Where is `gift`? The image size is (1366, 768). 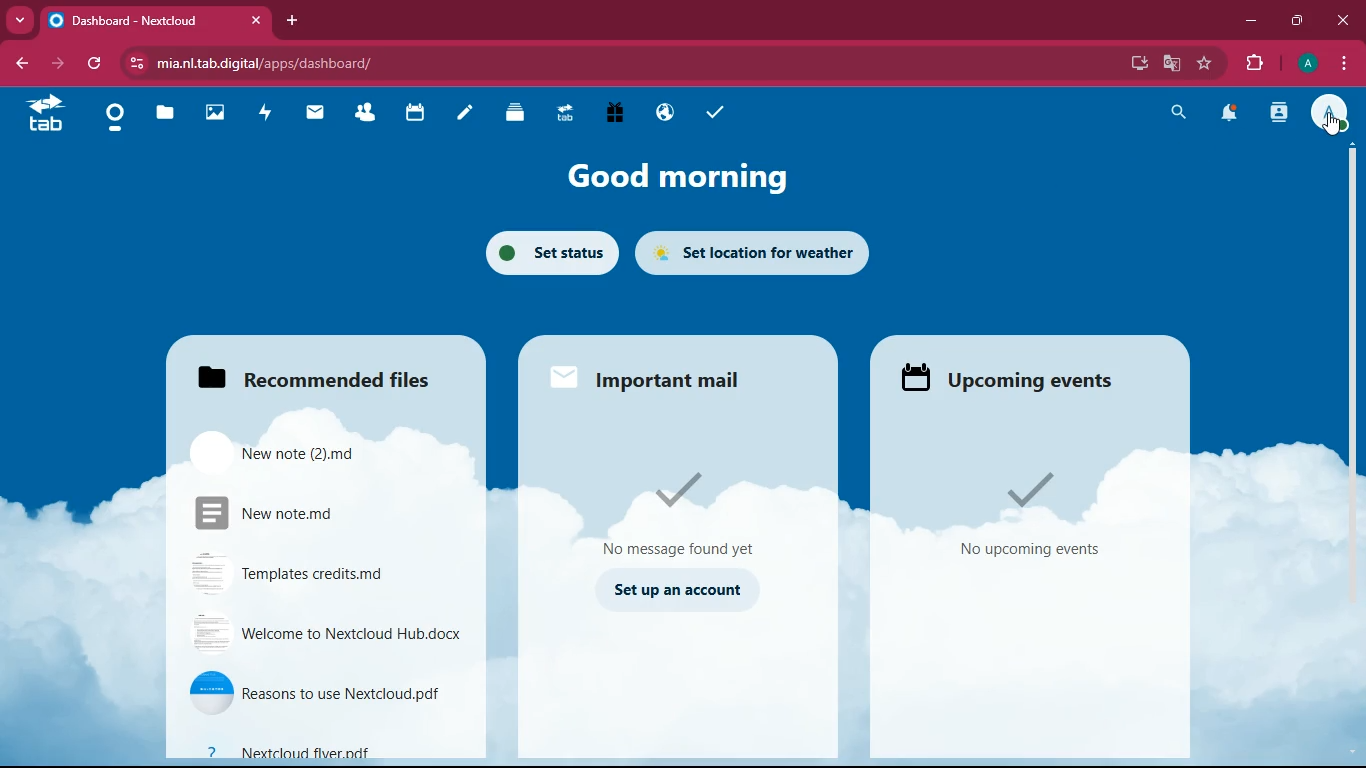 gift is located at coordinates (612, 115).